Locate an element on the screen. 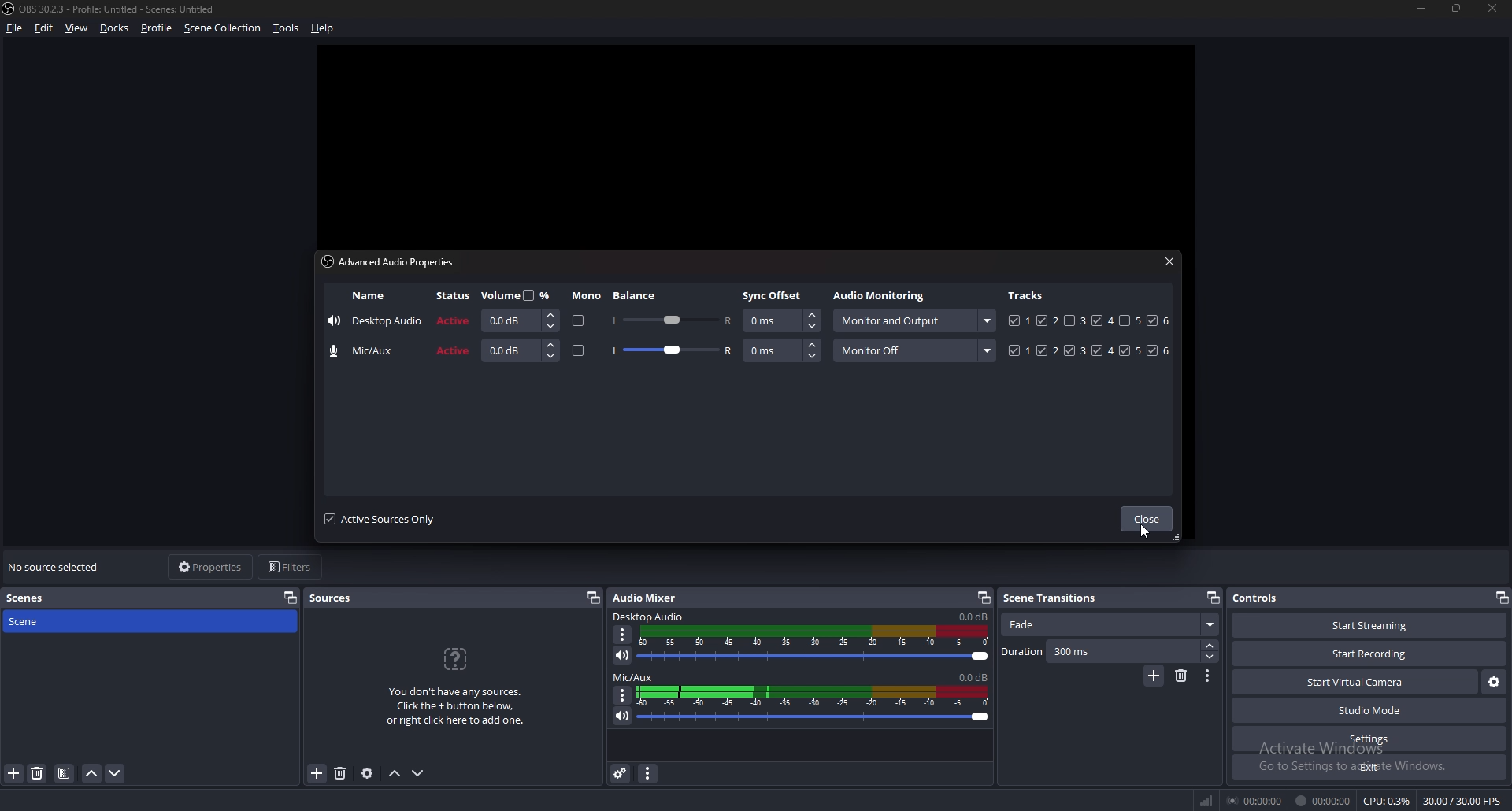 The width and height of the screenshot is (1512, 811). pop out is located at coordinates (1501, 597).